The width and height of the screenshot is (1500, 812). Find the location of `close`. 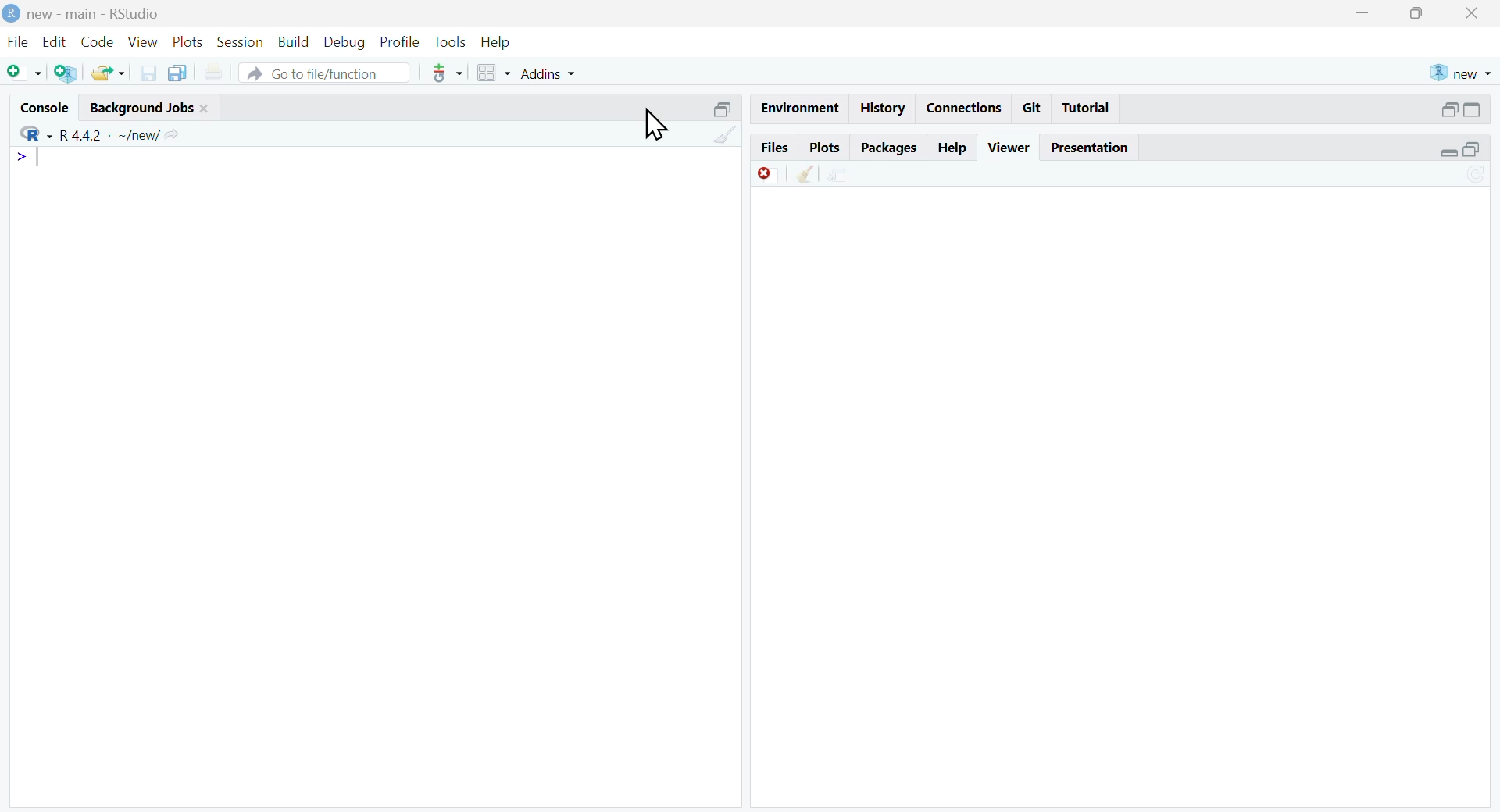

close is located at coordinates (205, 109).